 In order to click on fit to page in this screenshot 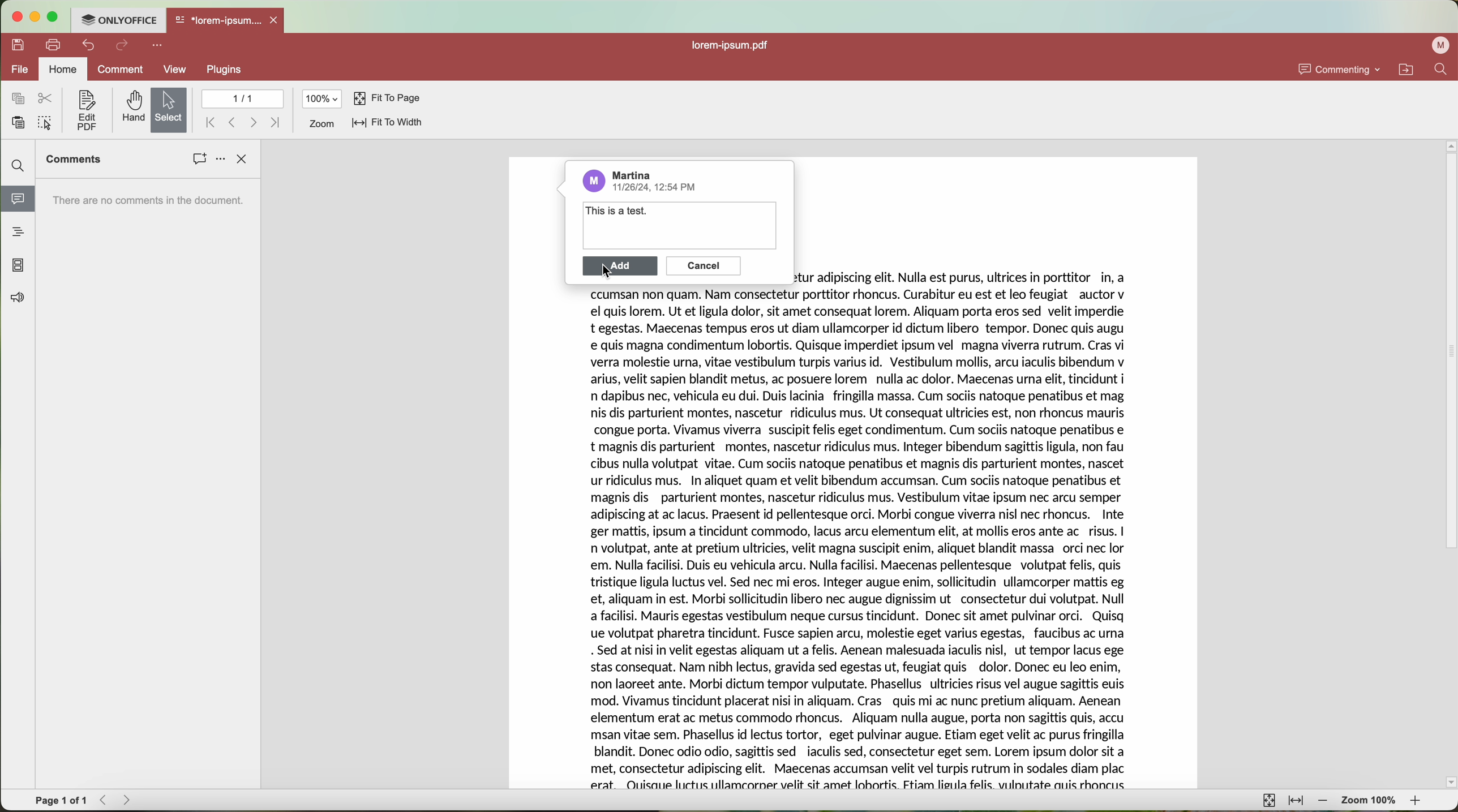, I will do `click(1269, 801)`.